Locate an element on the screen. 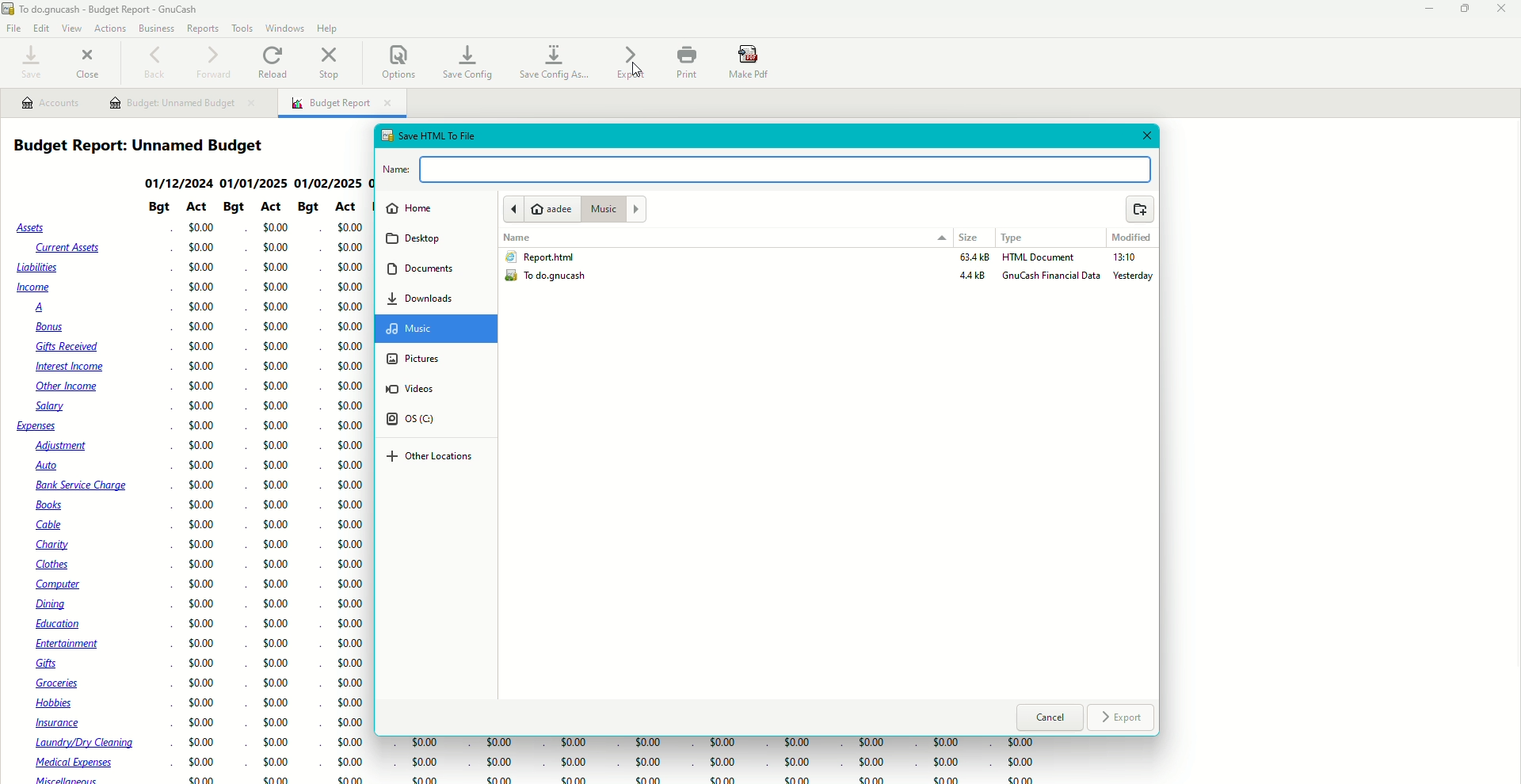 This screenshot has height=784, width=1521. Values is located at coordinates (270, 503).